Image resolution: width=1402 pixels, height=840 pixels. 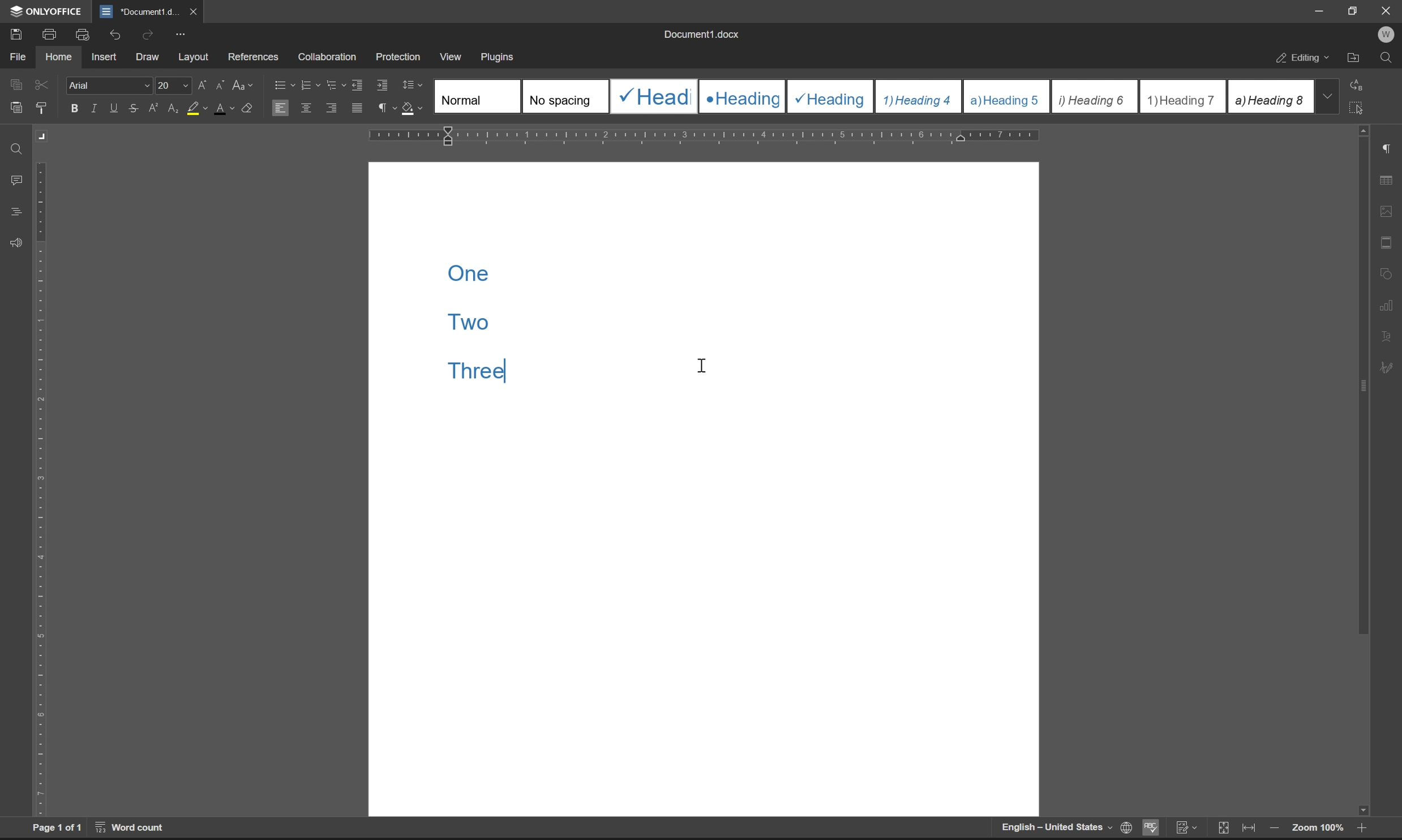 What do you see at coordinates (703, 363) in the screenshot?
I see `cursor` at bounding box center [703, 363].